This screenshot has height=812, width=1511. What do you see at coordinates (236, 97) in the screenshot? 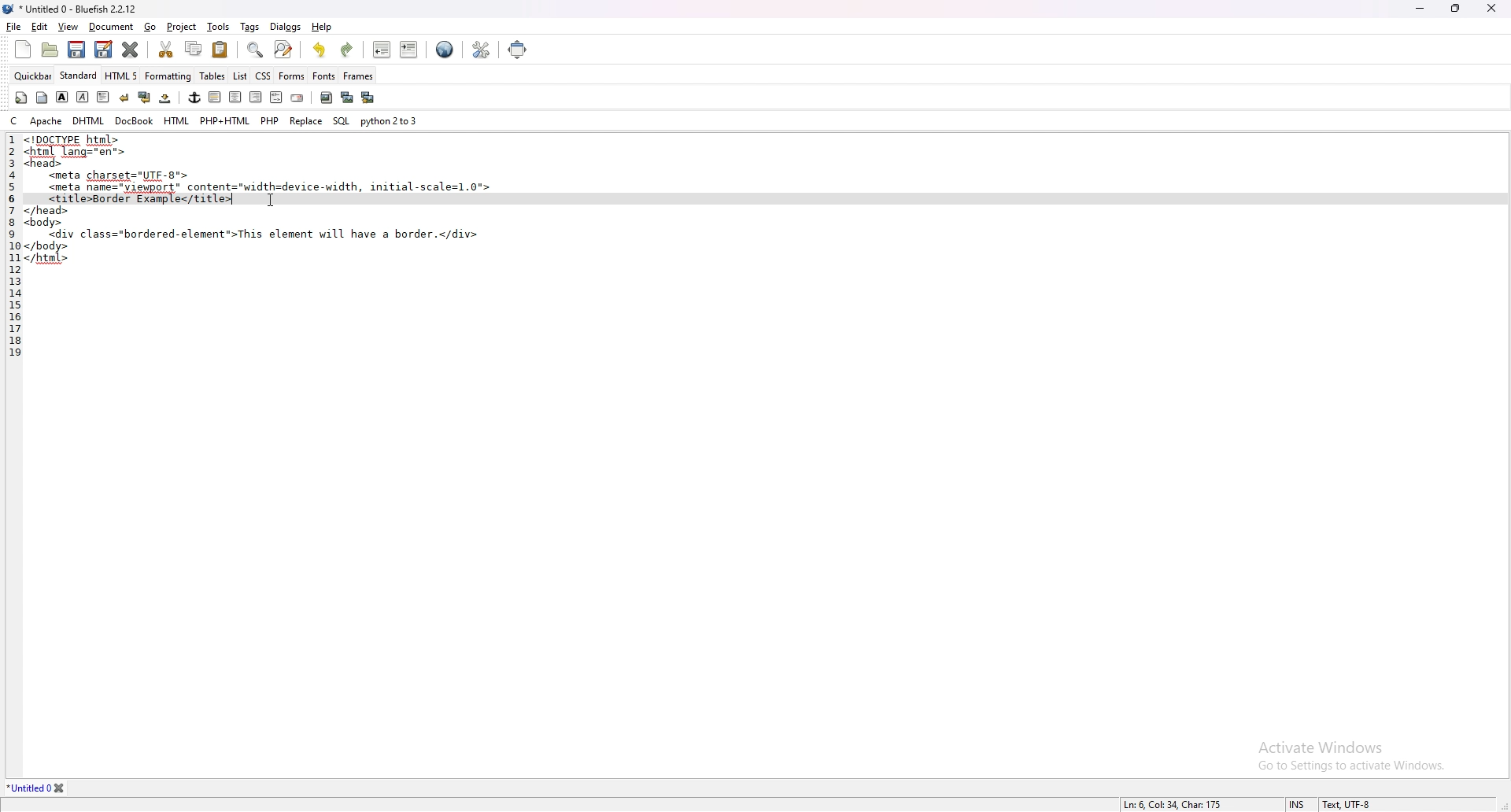
I see `center justify` at bounding box center [236, 97].